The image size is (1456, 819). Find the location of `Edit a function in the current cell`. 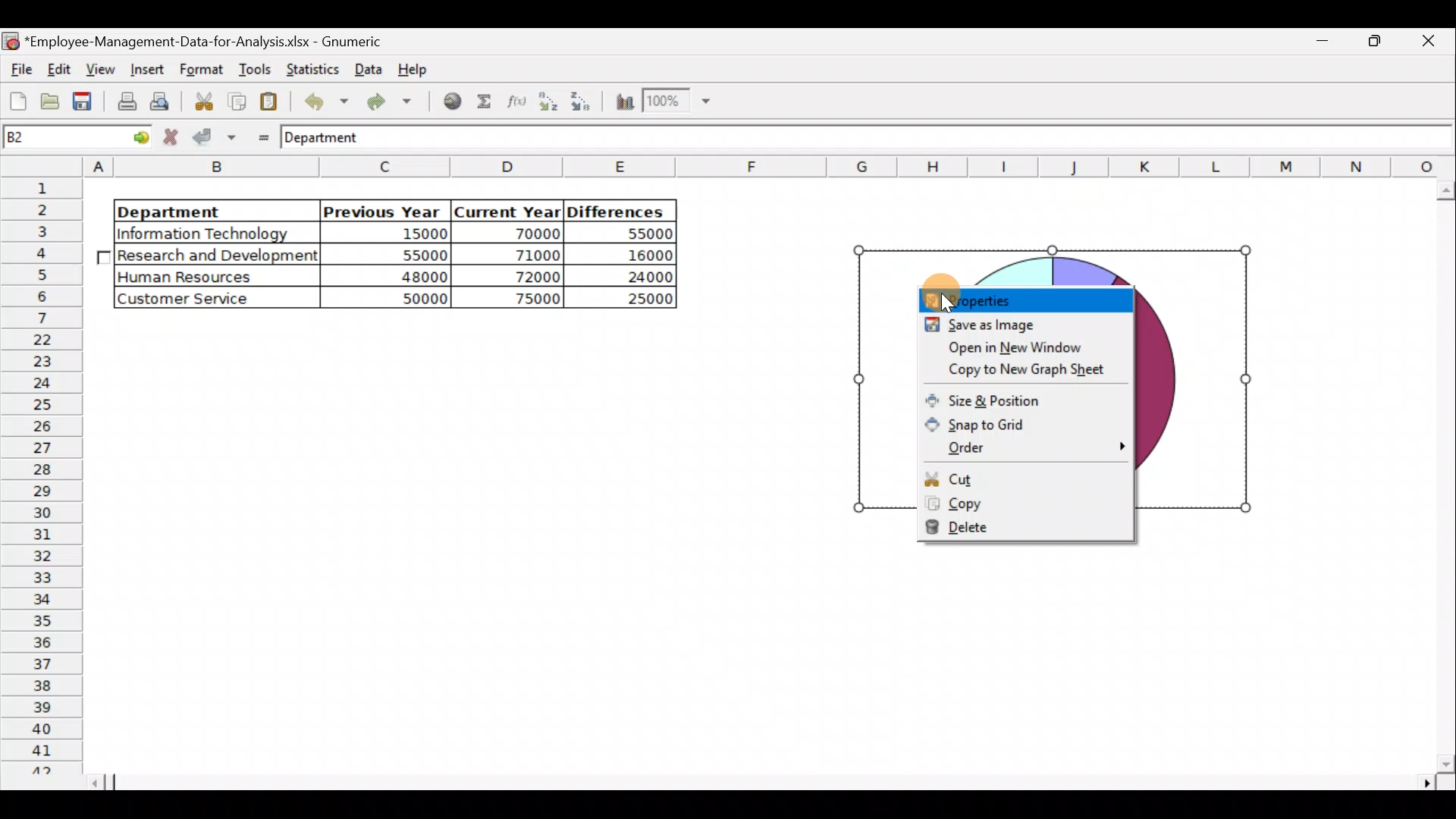

Edit a function in the current cell is located at coordinates (516, 101).